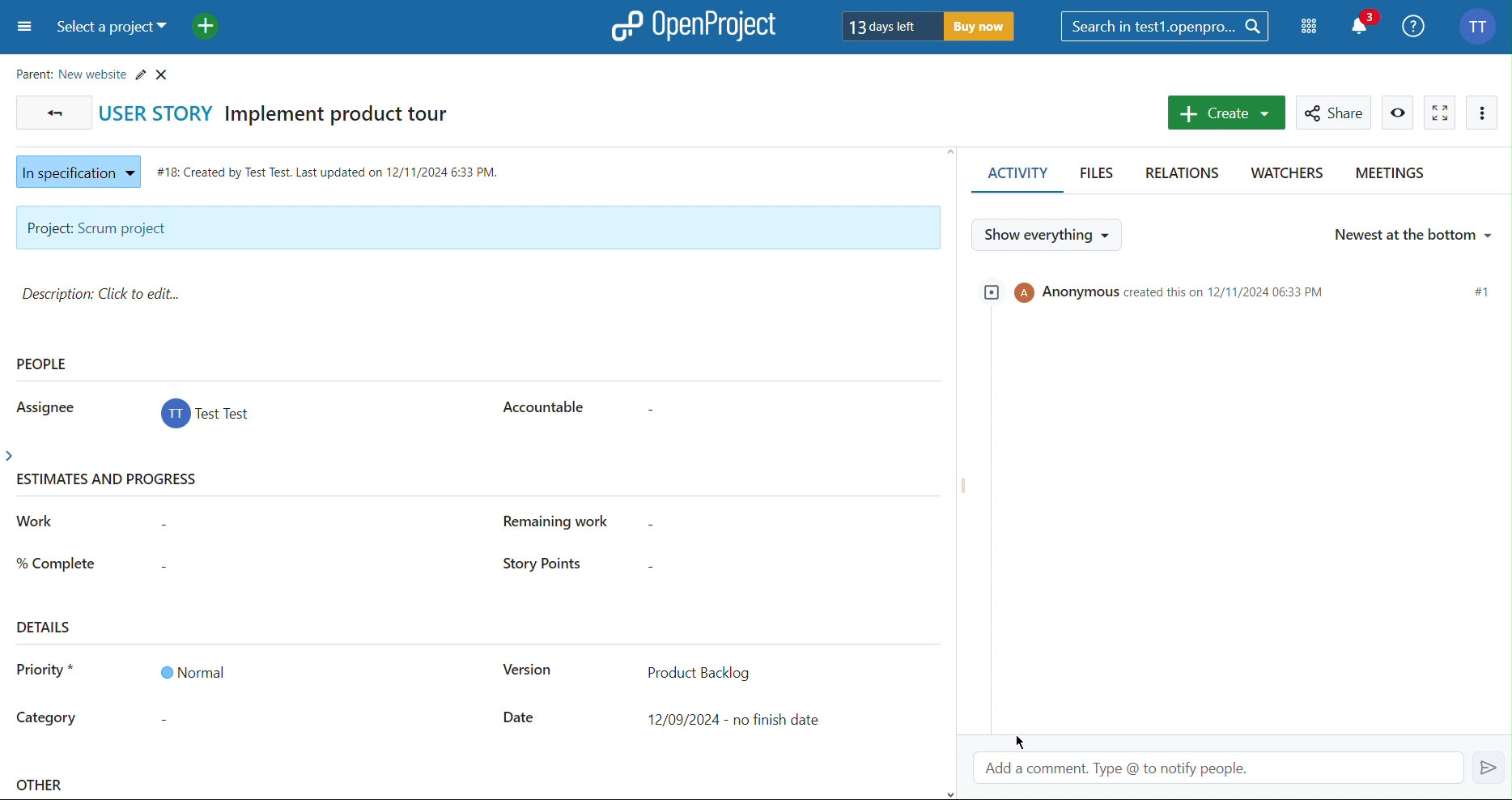  Describe the element at coordinates (1225, 113) in the screenshot. I see `Create` at that location.